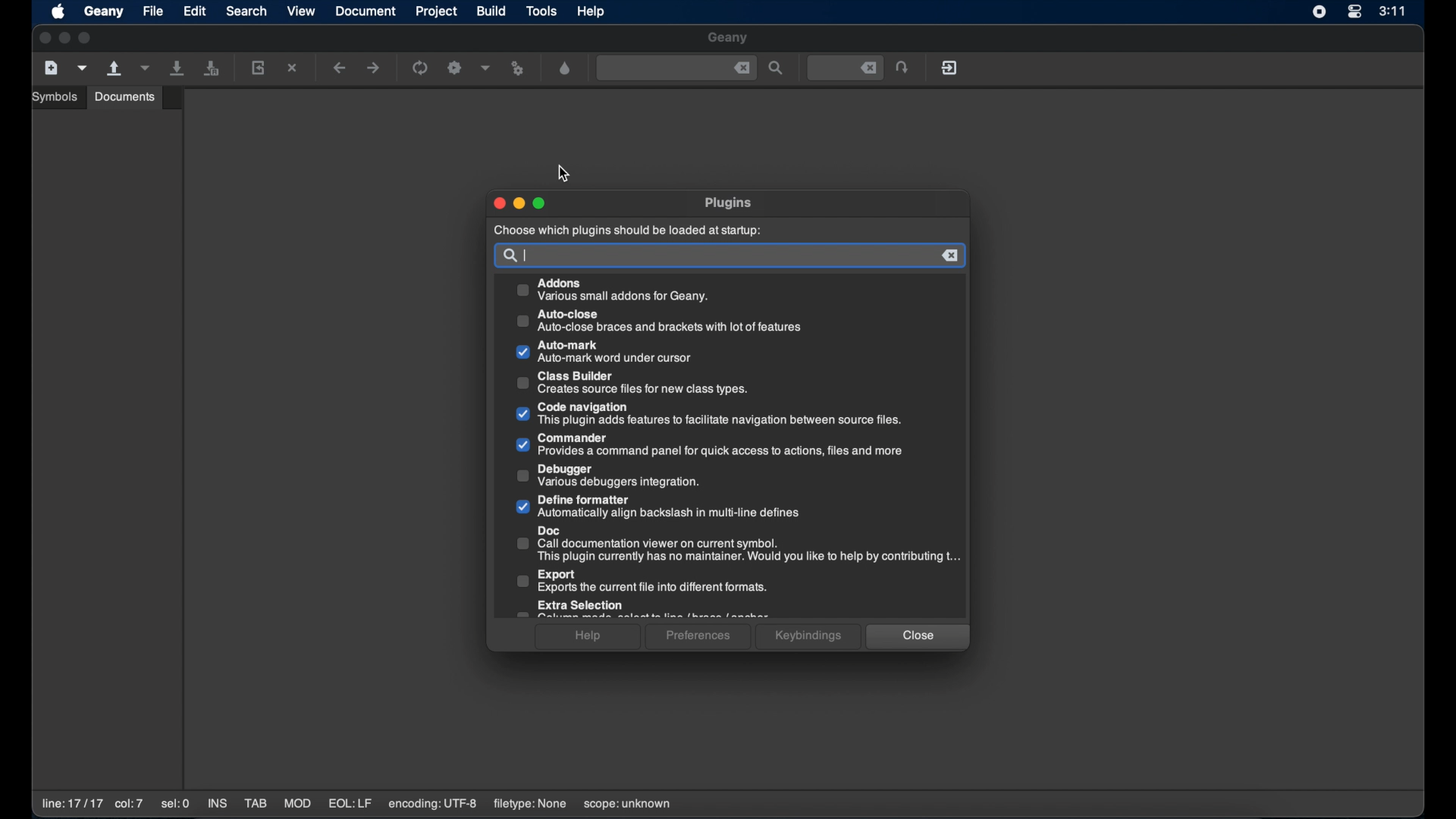 The image size is (1456, 819). What do you see at coordinates (520, 69) in the screenshot?
I see `run or view the current file file` at bounding box center [520, 69].